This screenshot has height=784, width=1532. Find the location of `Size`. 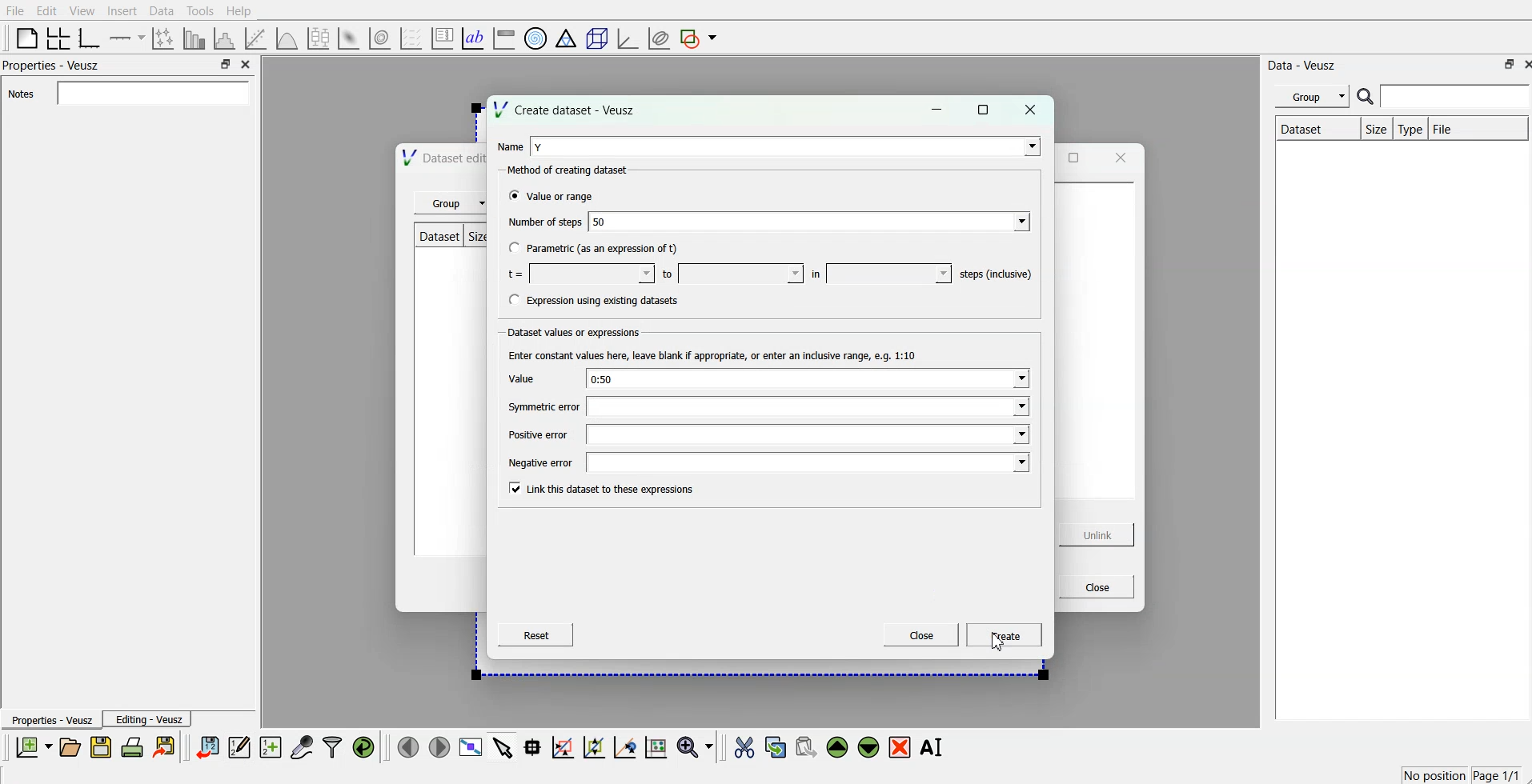

Size is located at coordinates (473, 235).